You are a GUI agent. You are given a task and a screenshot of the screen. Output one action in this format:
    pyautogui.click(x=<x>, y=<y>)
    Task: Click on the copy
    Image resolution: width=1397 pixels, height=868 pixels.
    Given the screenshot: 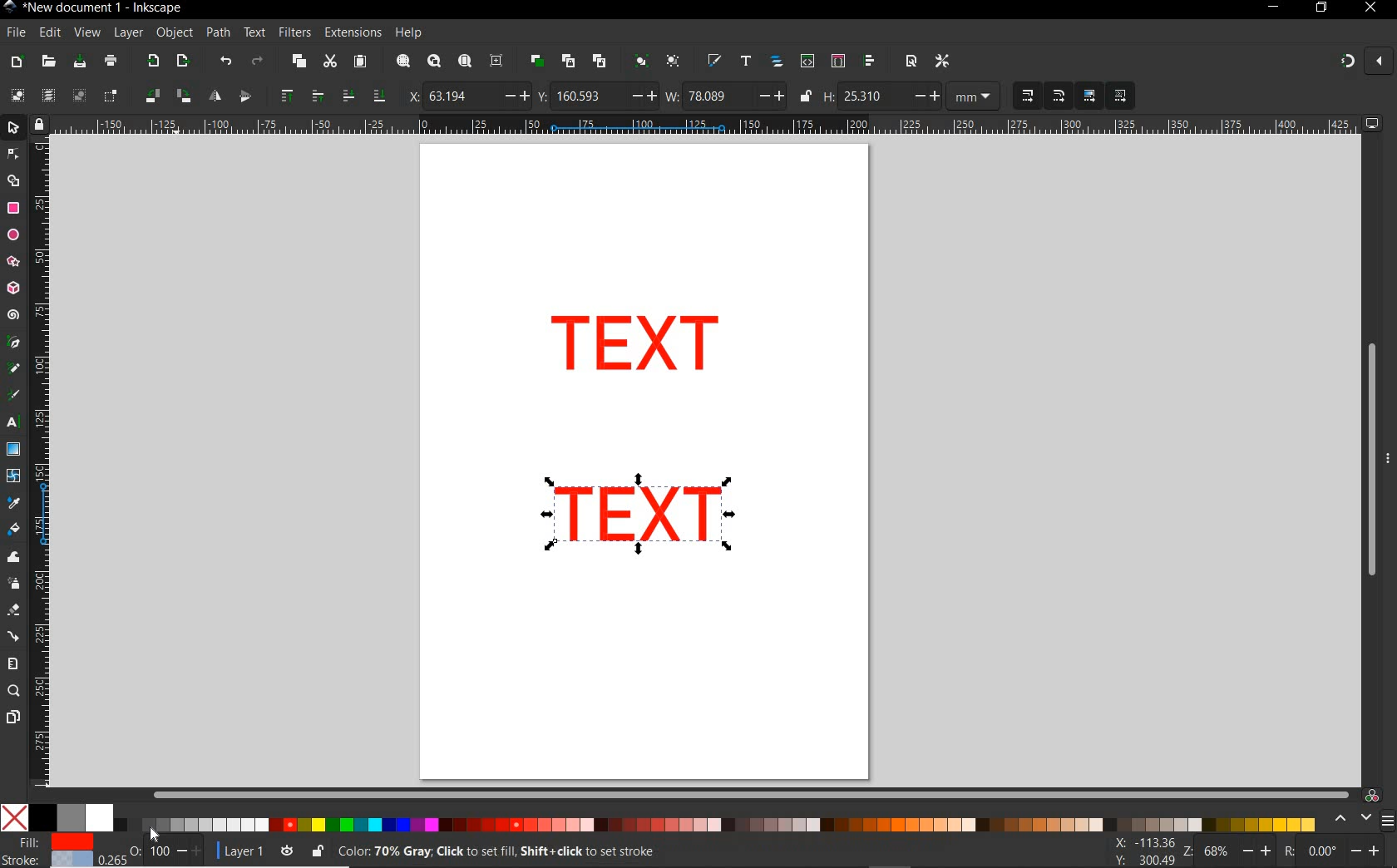 What is the action you would take?
    pyautogui.click(x=297, y=62)
    